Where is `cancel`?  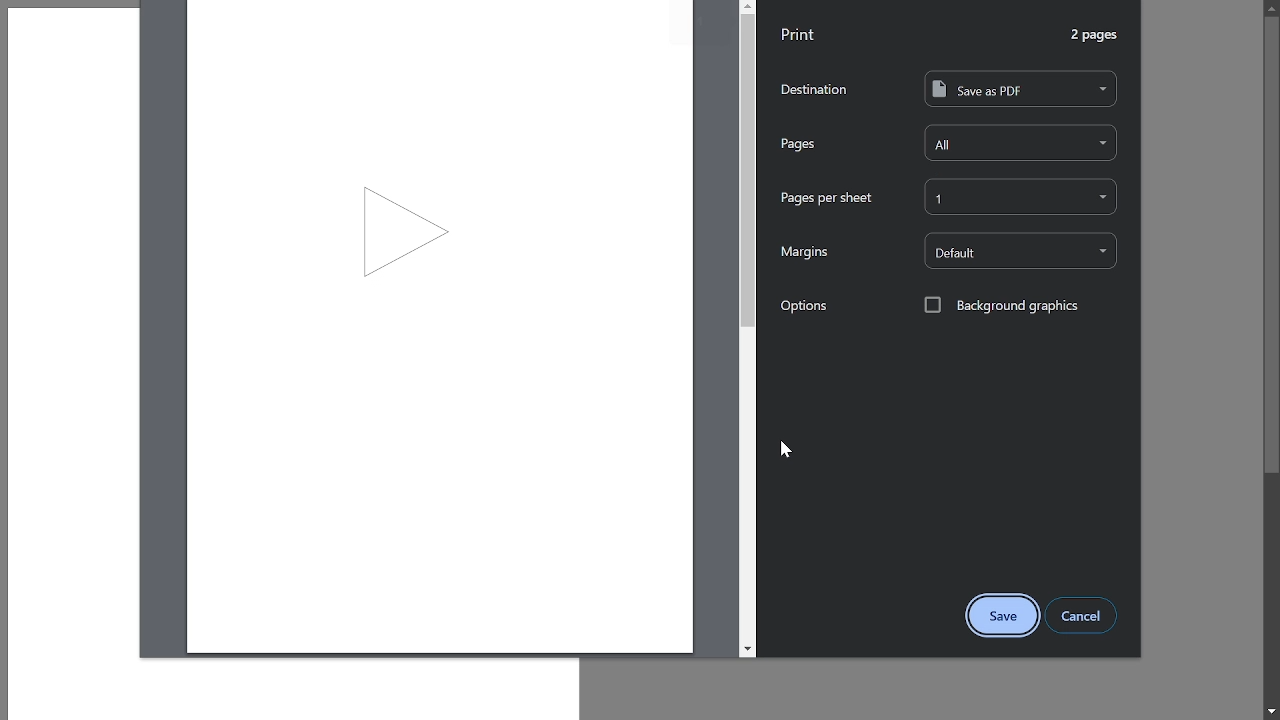 cancel is located at coordinates (1081, 615).